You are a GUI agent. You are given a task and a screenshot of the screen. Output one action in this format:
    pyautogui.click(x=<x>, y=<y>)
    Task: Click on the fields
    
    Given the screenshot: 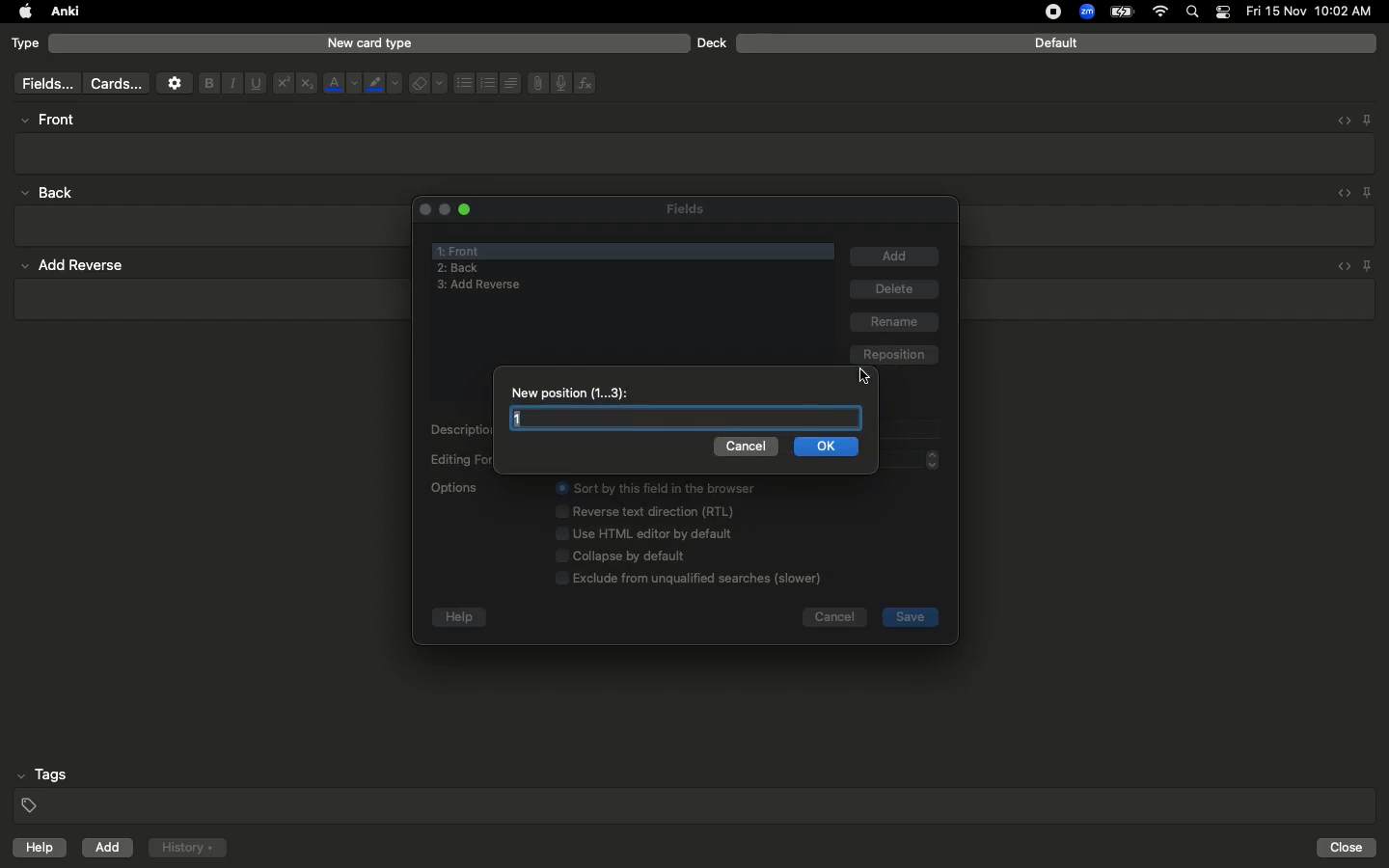 What is the action you would take?
    pyautogui.click(x=42, y=84)
    